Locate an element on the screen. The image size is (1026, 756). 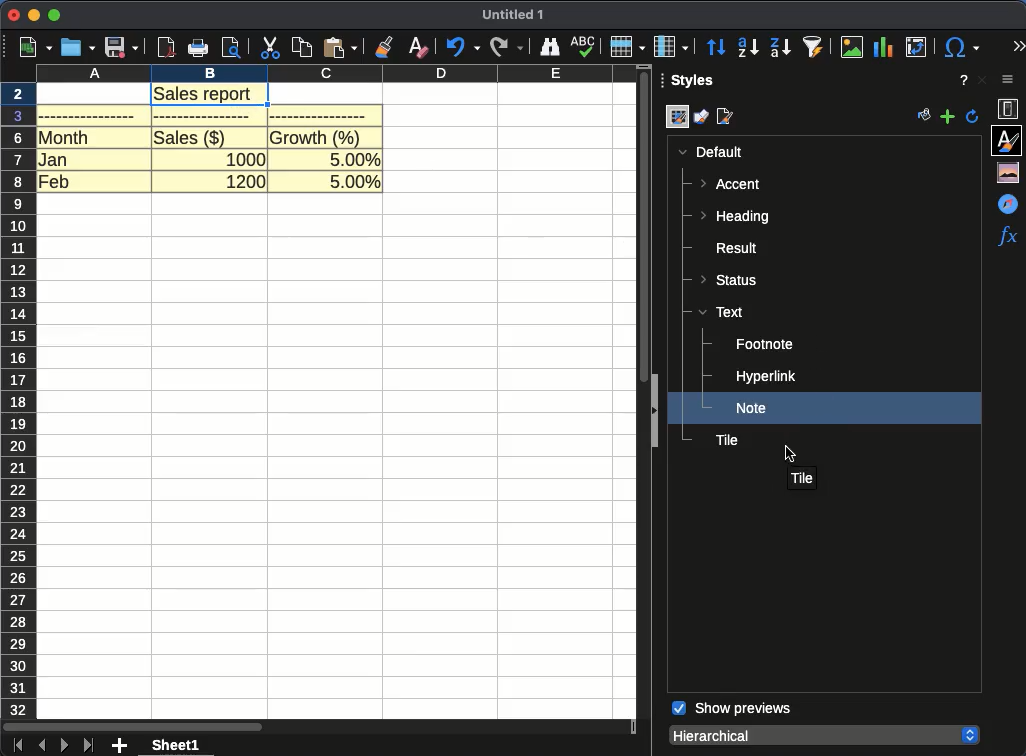
print is located at coordinates (197, 48).